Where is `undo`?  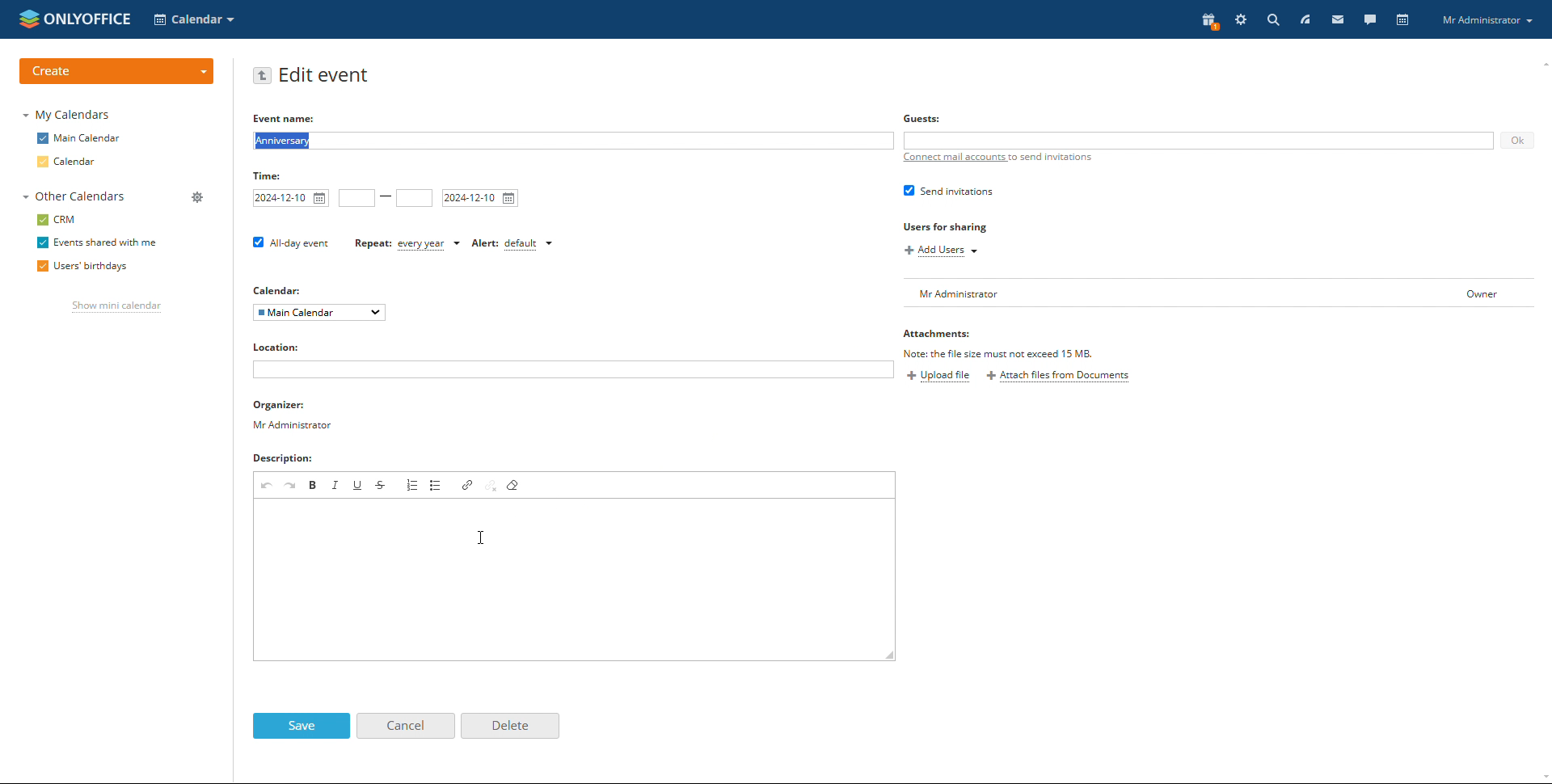
undo is located at coordinates (266, 485).